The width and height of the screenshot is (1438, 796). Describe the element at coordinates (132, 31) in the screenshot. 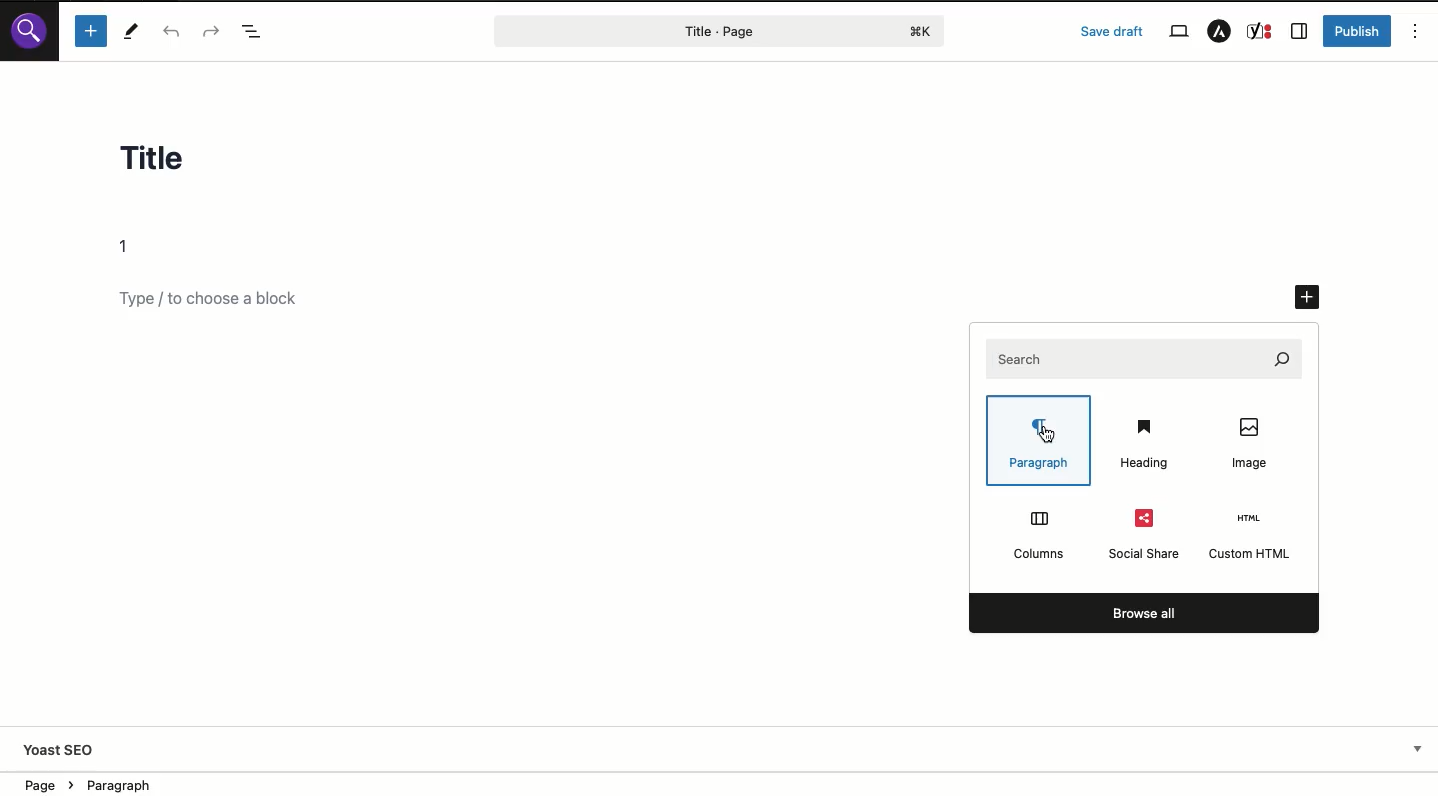

I see `Tools` at that location.